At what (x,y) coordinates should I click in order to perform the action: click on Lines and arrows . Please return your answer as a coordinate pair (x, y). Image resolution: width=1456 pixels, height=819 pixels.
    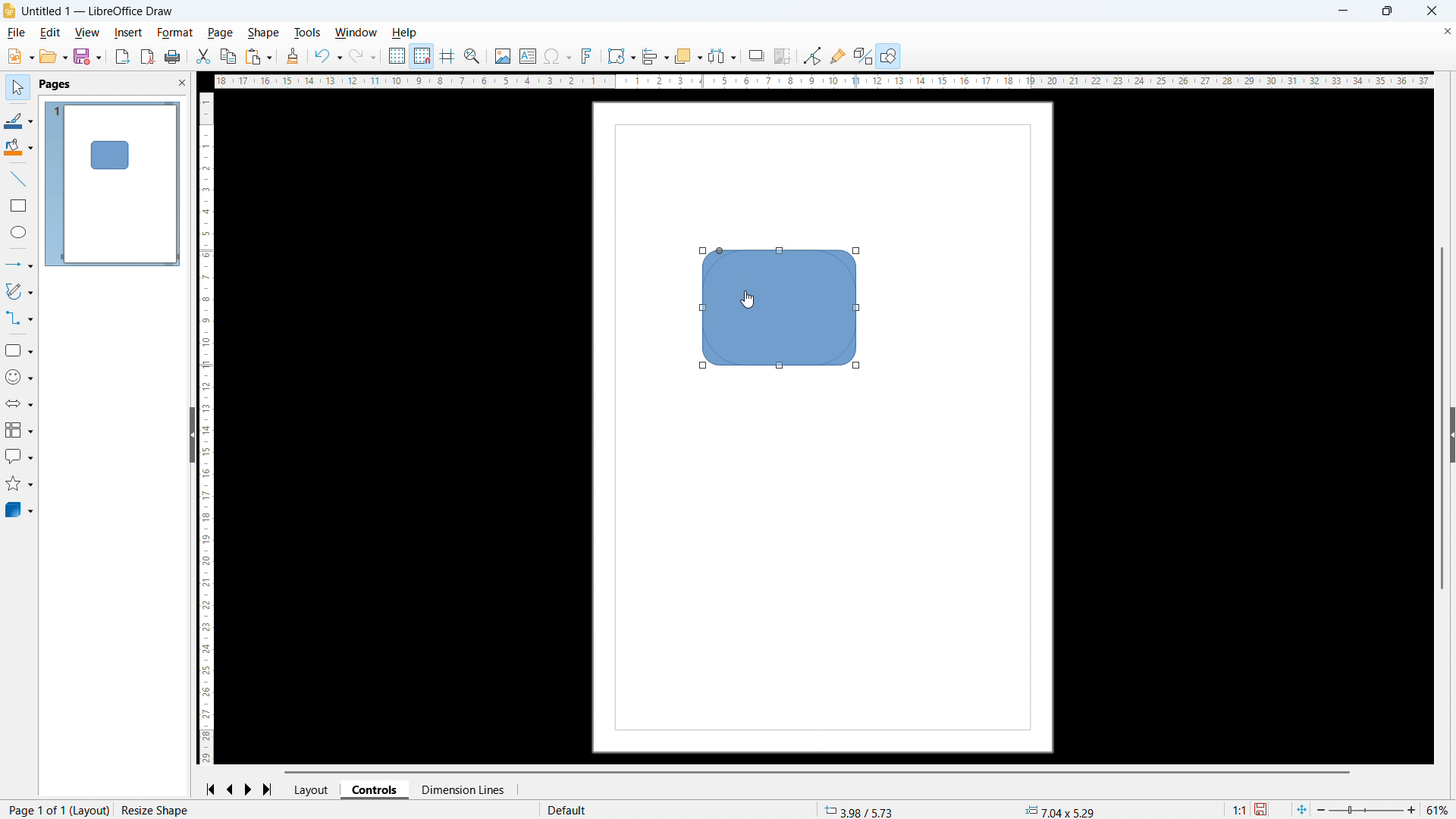
    Looking at the image, I should click on (20, 264).